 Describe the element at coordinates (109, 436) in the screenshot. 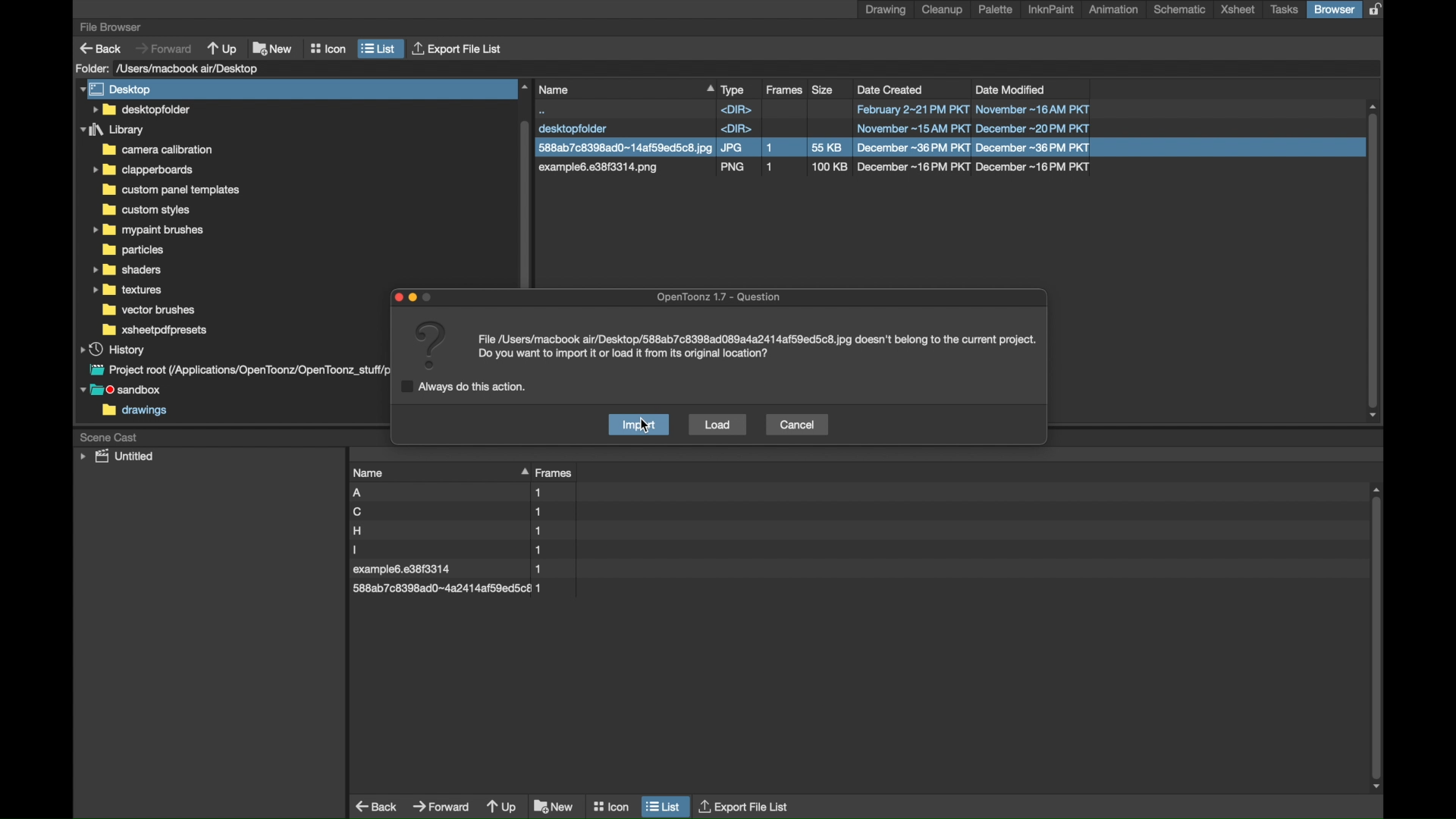

I see `scene cast` at that location.